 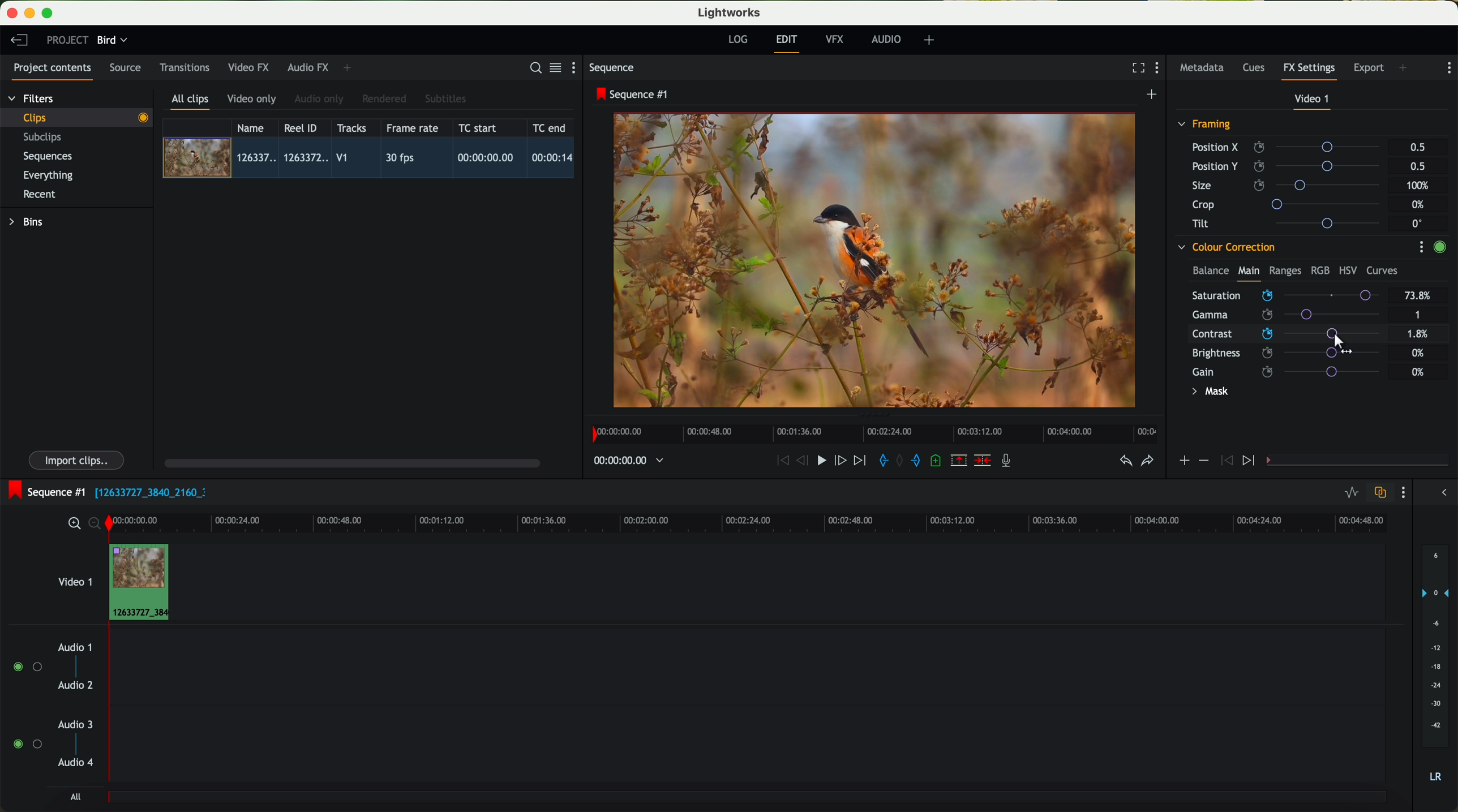 I want to click on brightness, so click(x=1293, y=353).